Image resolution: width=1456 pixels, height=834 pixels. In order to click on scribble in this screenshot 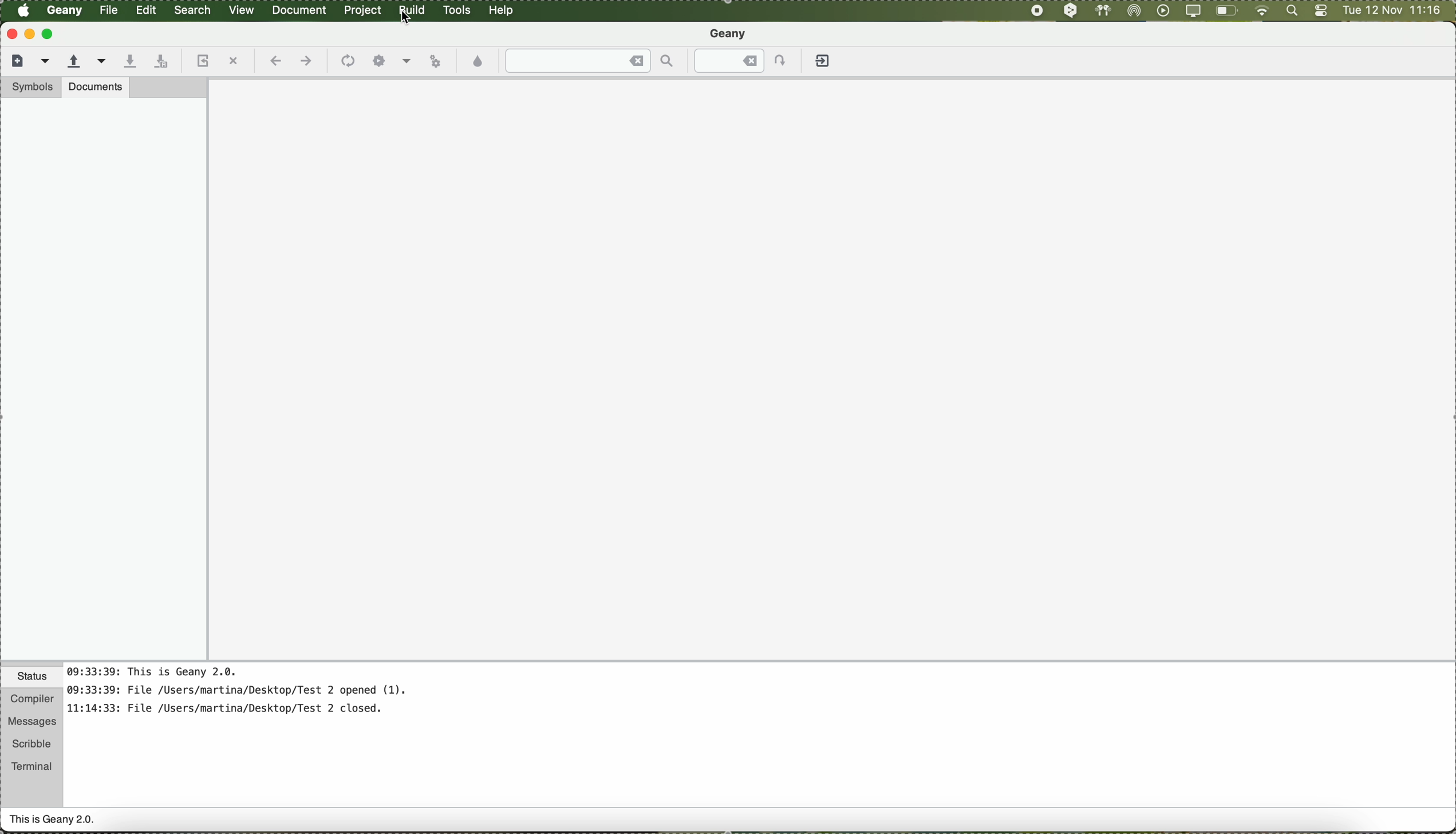, I will do `click(32, 744)`.